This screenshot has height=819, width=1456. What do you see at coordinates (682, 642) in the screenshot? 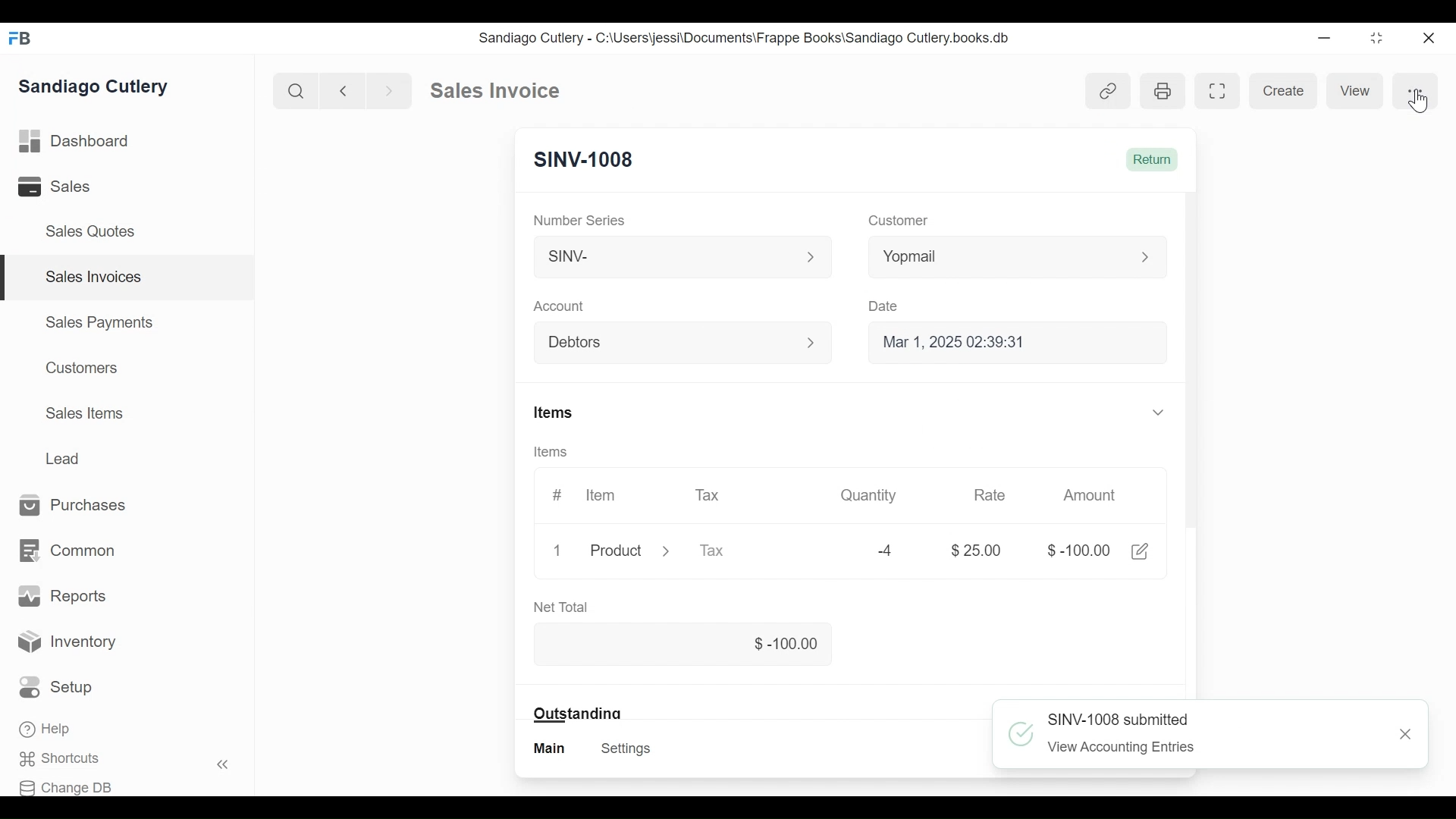
I see `$-100.00` at bounding box center [682, 642].